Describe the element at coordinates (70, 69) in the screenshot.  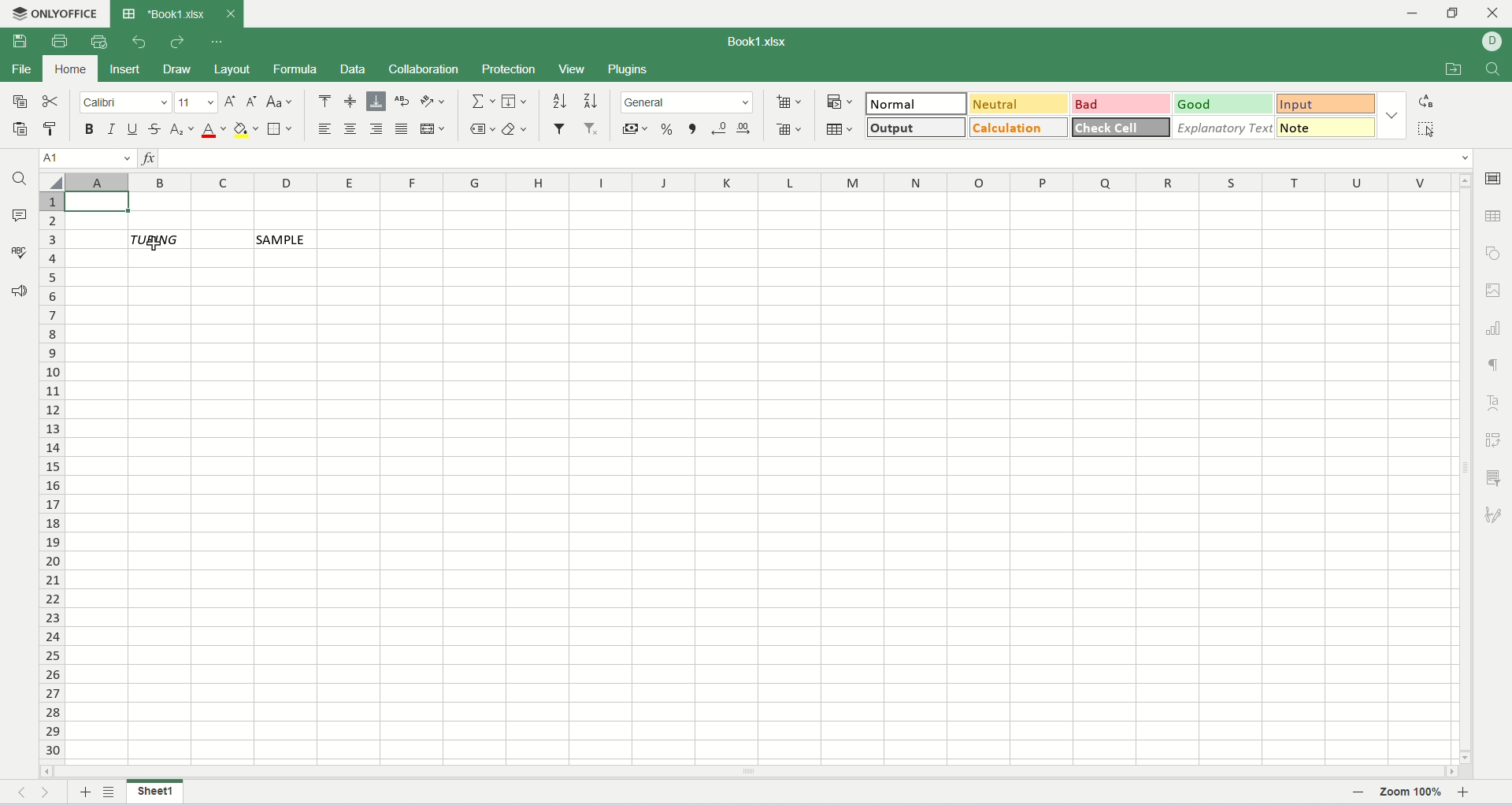
I see `home` at that location.